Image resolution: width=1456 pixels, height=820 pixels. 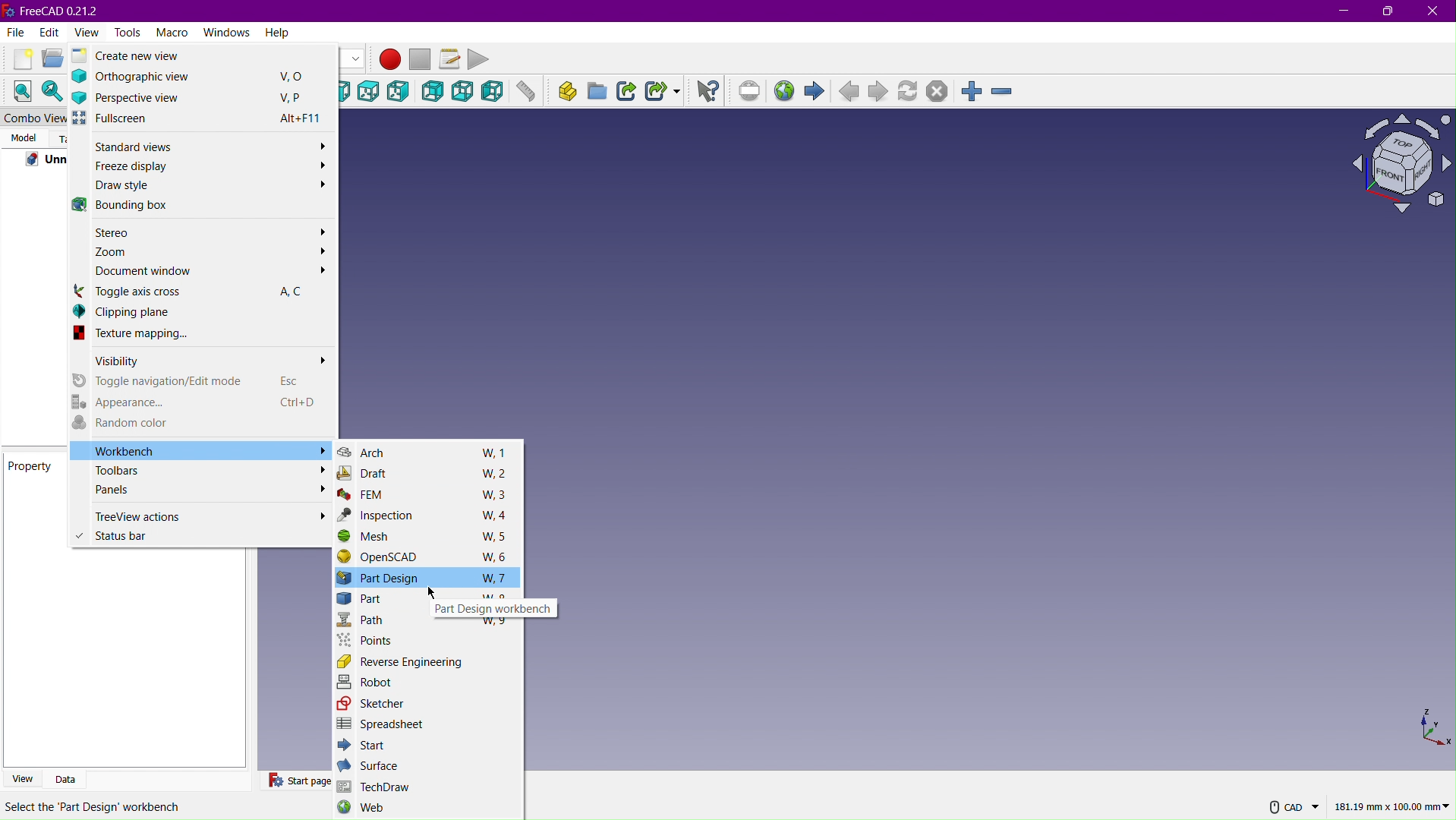 What do you see at coordinates (452, 59) in the screenshot?
I see `Macros` at bounding box center [452, 59].